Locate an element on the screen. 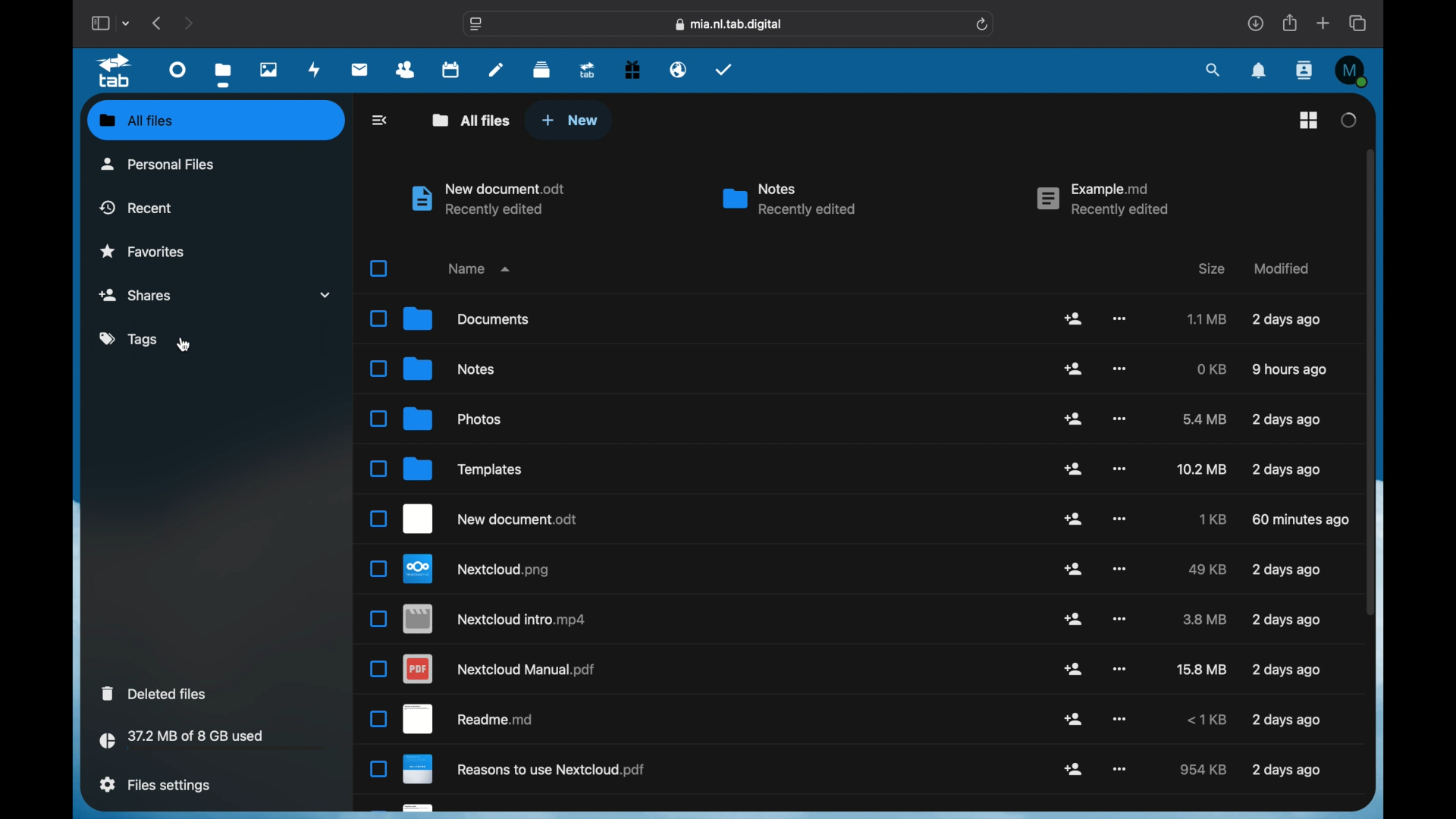 This screenshot has width=1456, height=819. share is located at coordinates (1075, 519).